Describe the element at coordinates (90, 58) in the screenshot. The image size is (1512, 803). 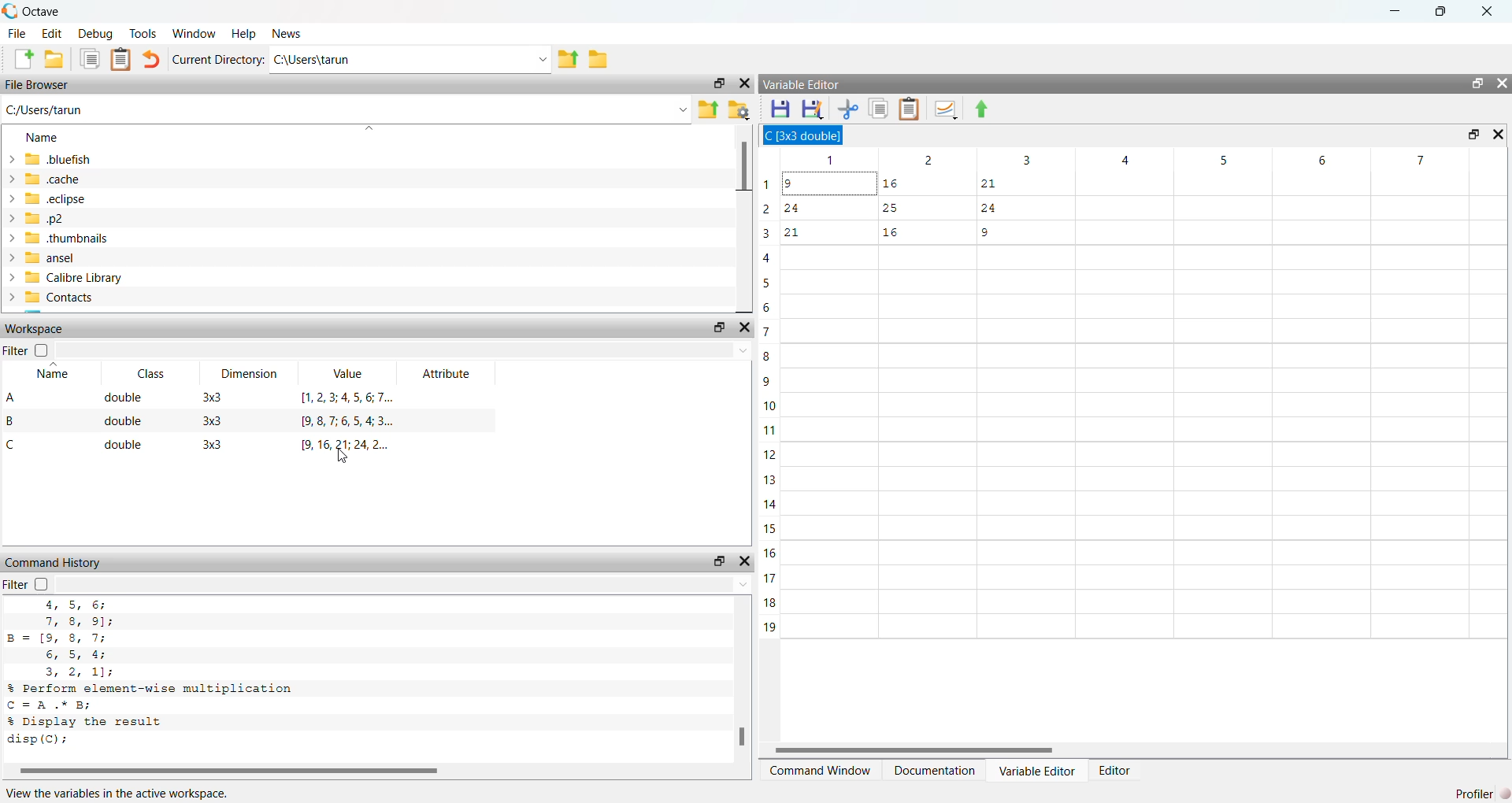
I see `Documents` at that location.